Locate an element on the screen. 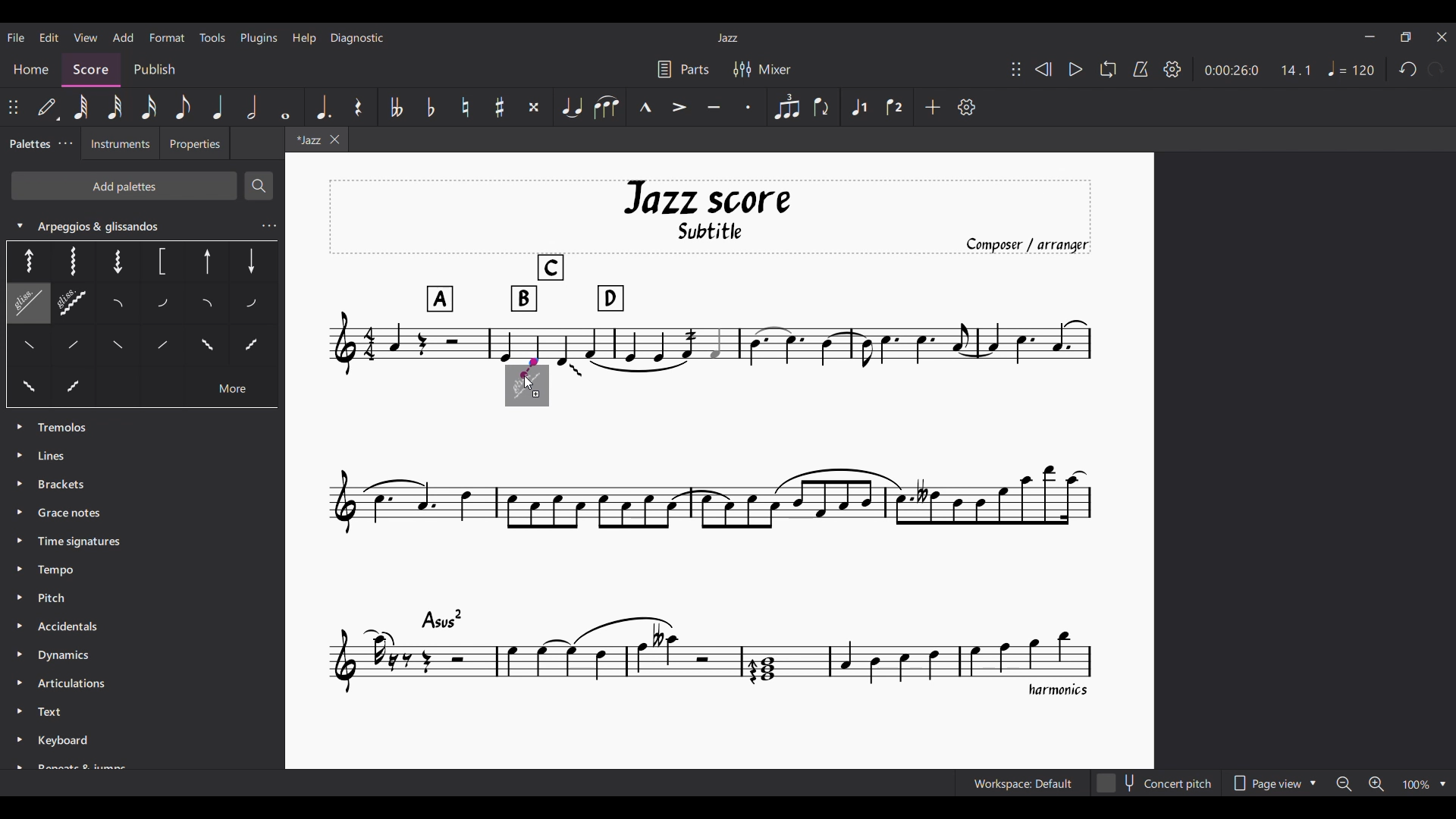 The height and width of the screenshot is (819, 1456). Toggle double sharp is located at coordinates (534, 107).